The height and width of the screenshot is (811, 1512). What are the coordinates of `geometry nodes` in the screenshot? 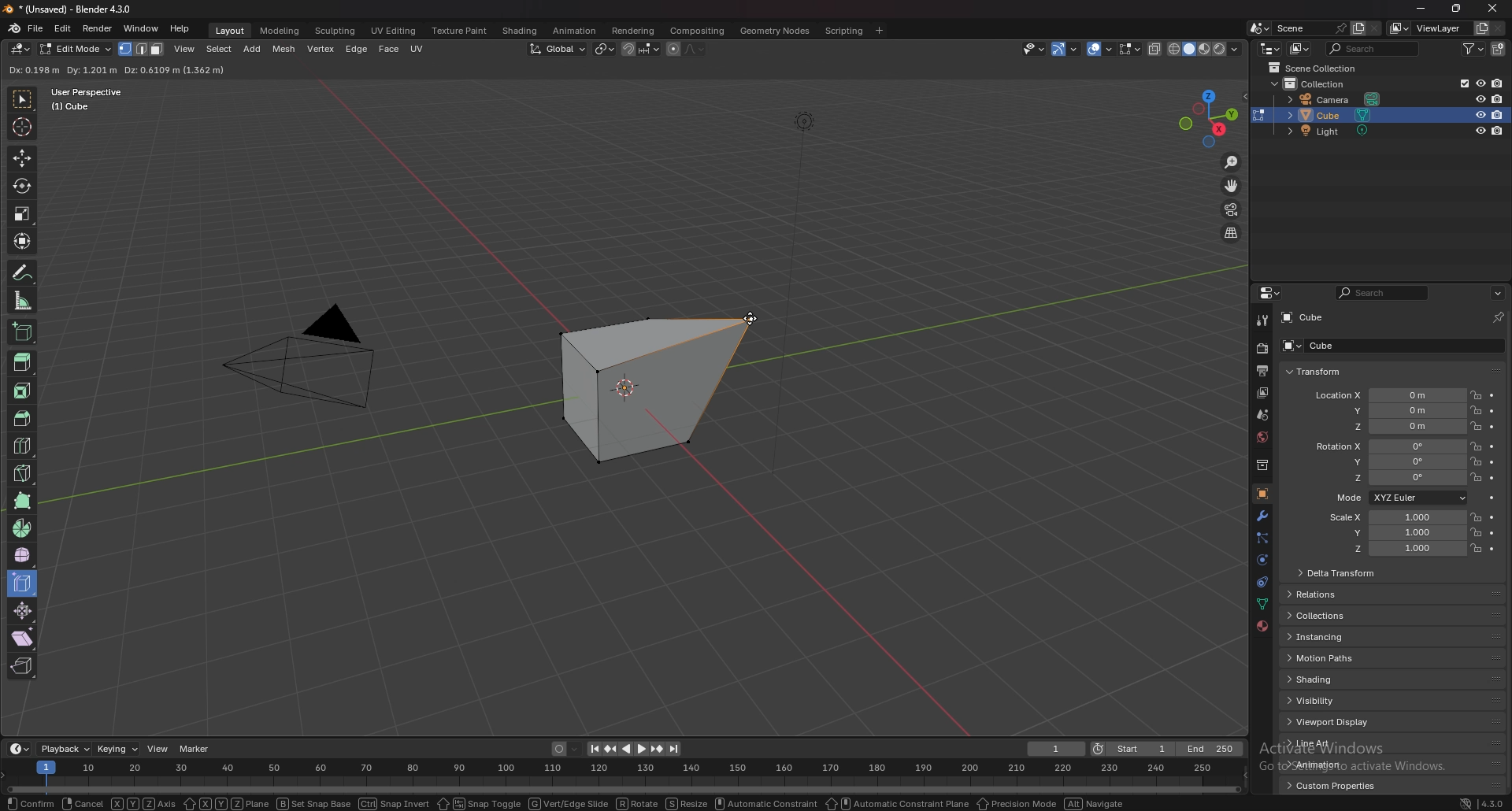 It's located at (774, 31).